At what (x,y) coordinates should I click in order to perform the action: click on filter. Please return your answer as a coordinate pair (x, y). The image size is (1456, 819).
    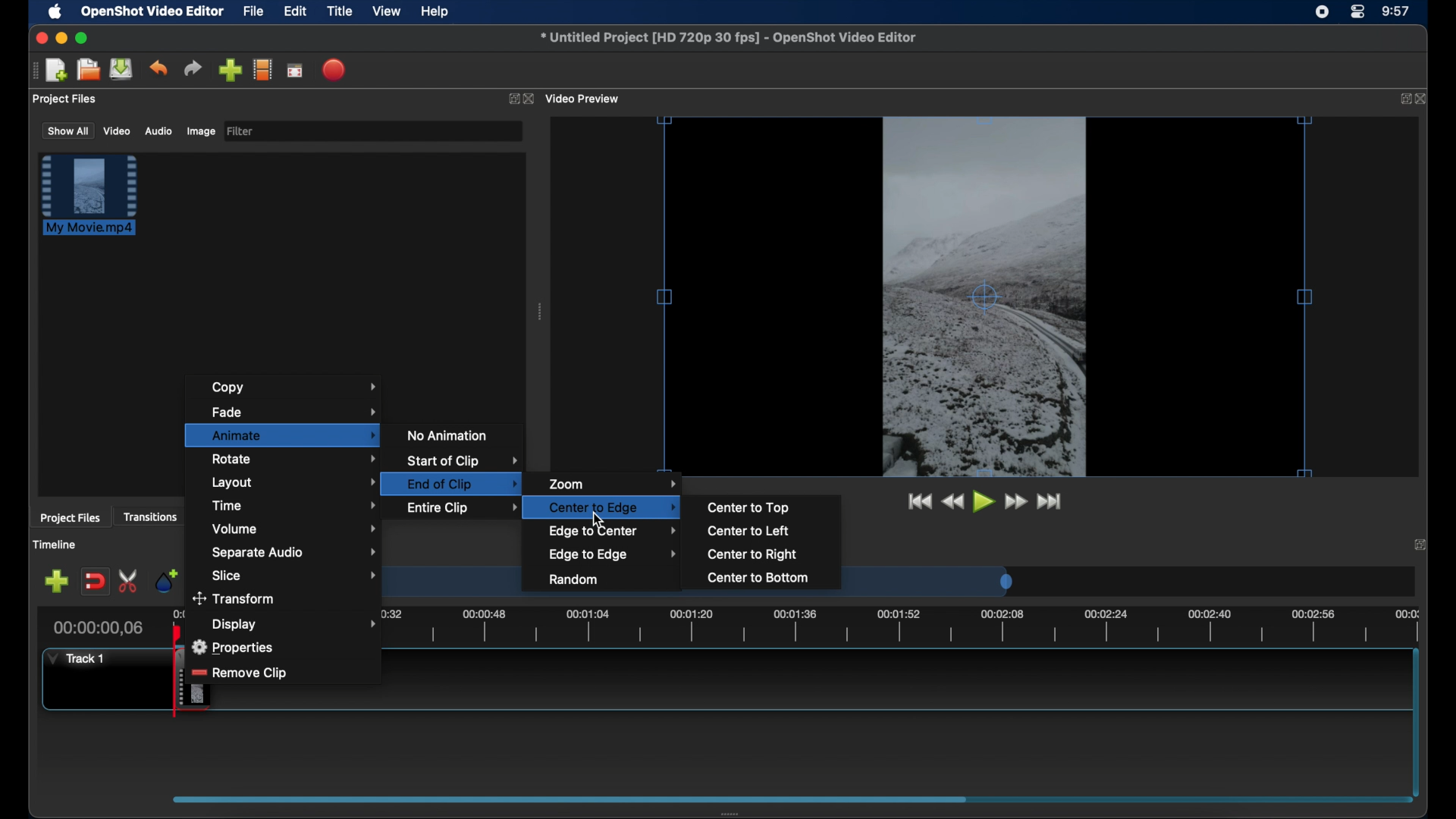
    Looking at the image, I should click on (241, 131).